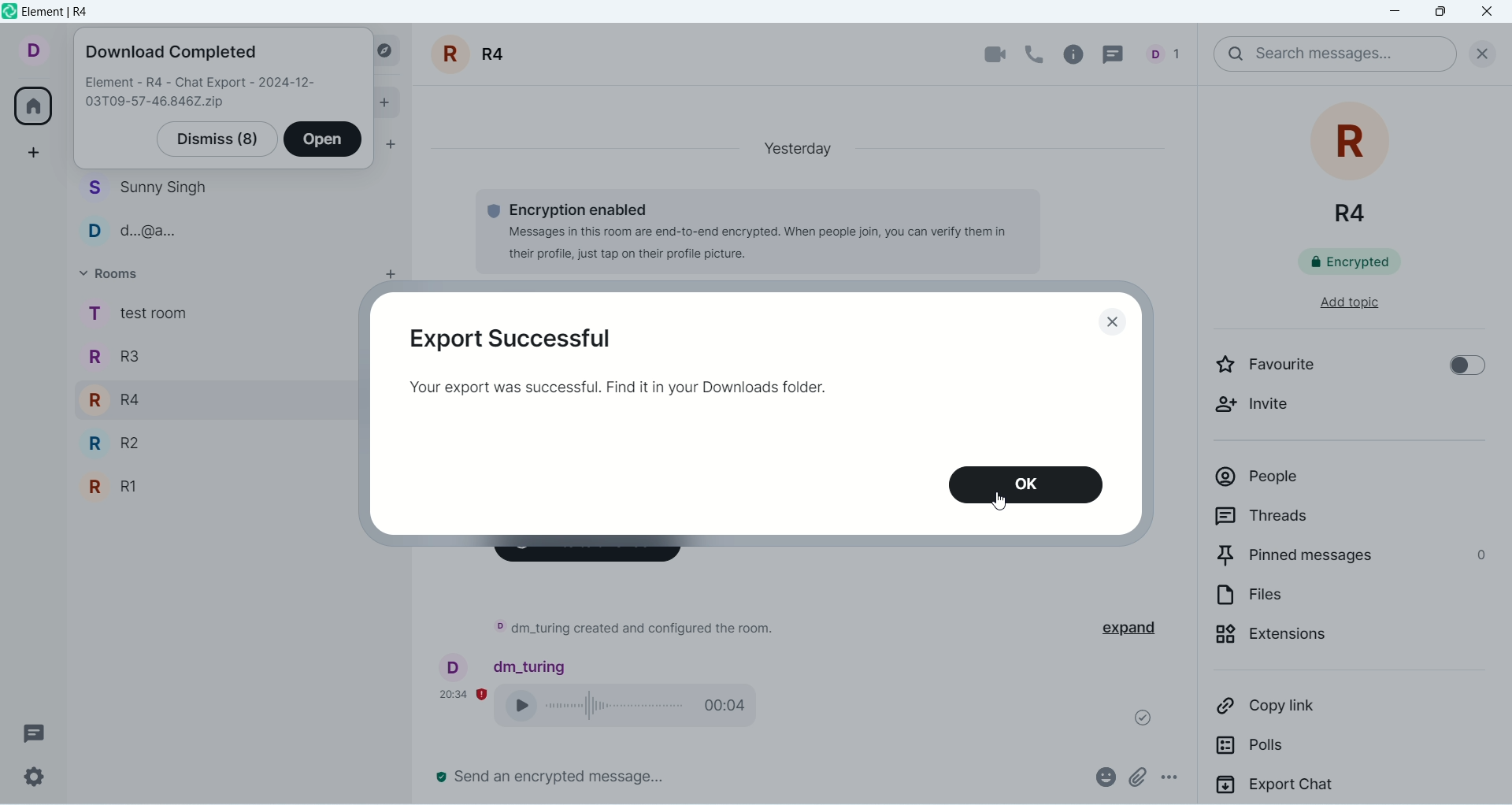  Describe the element at coordinates (1335, 310) in the screenshot. I see `add topic` at that location.